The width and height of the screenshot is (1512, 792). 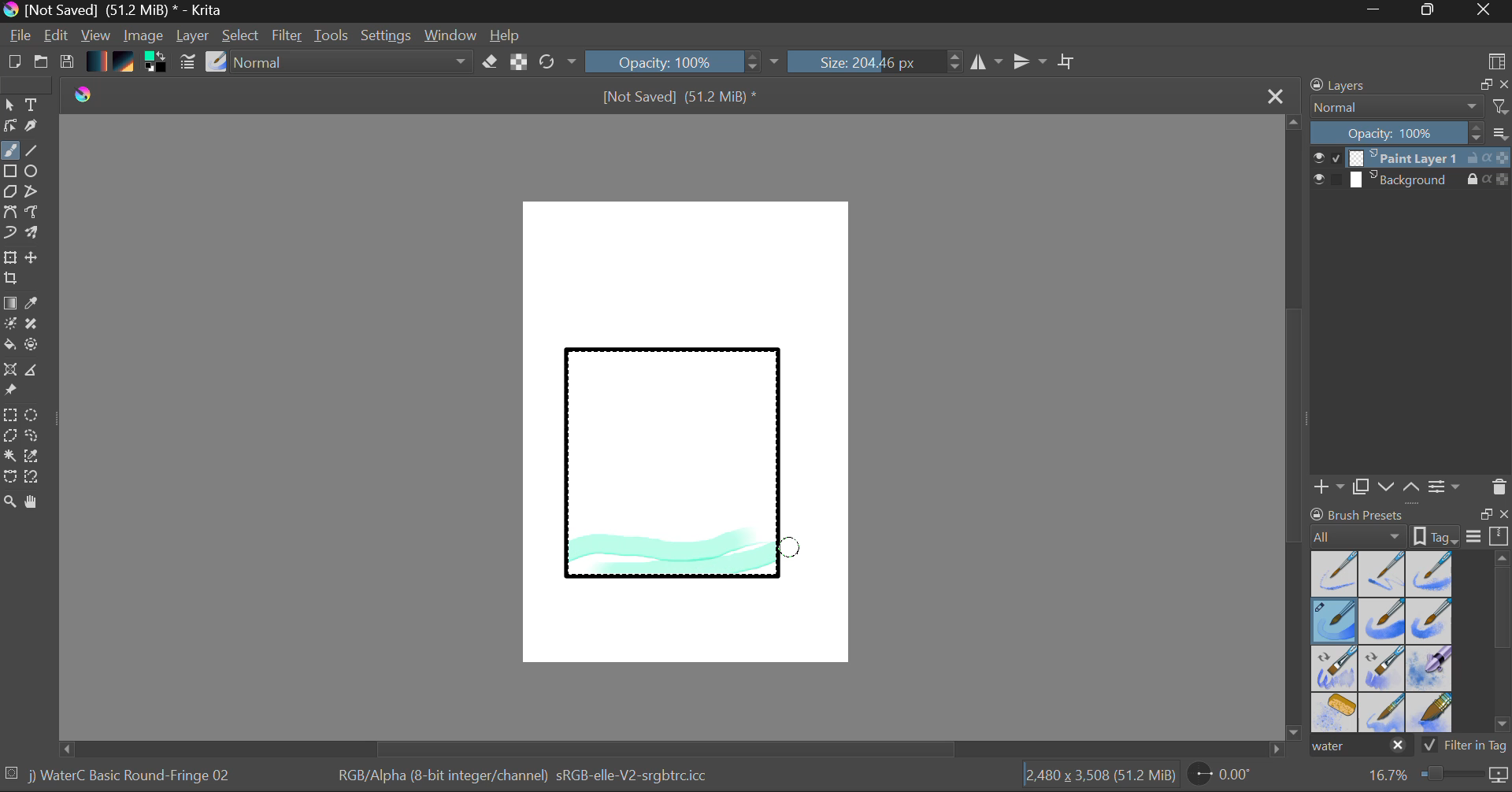 What do you see at coordinates (1069, 61) in the screenshot?
I see `Crop` at bounding box center [1069, 61].